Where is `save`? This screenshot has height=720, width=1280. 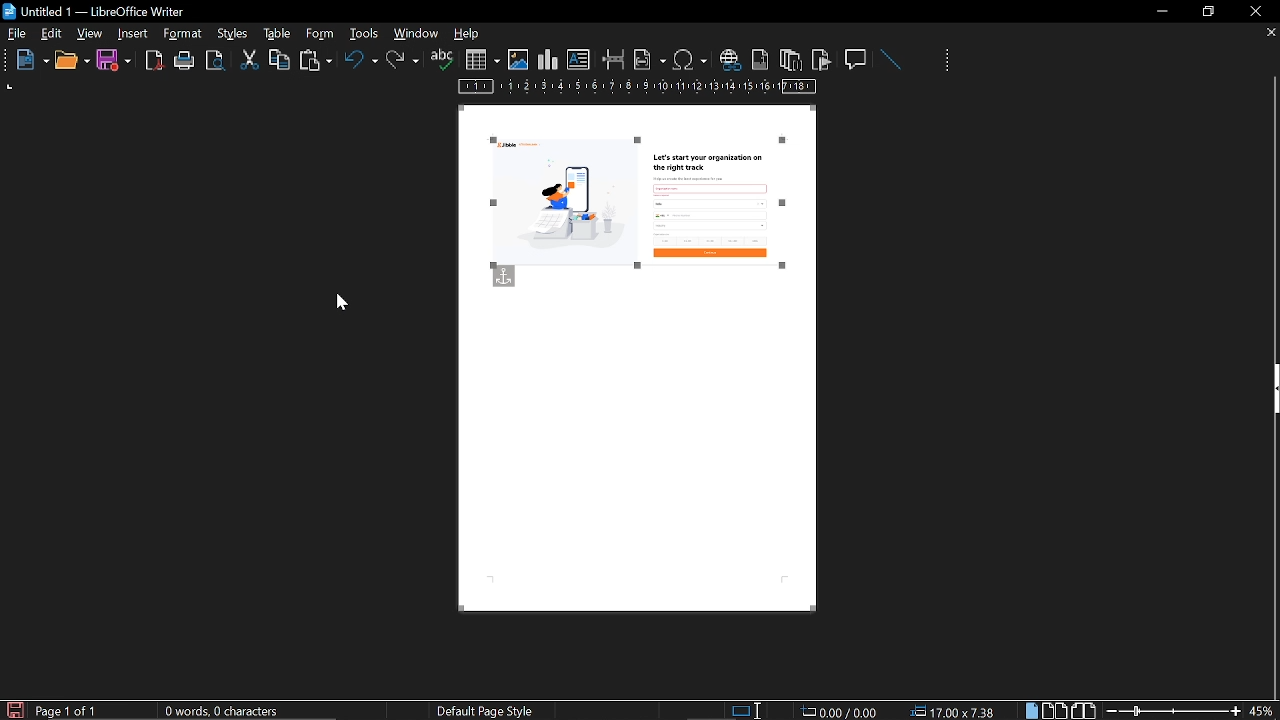
save is located at coordinates (14, 709).